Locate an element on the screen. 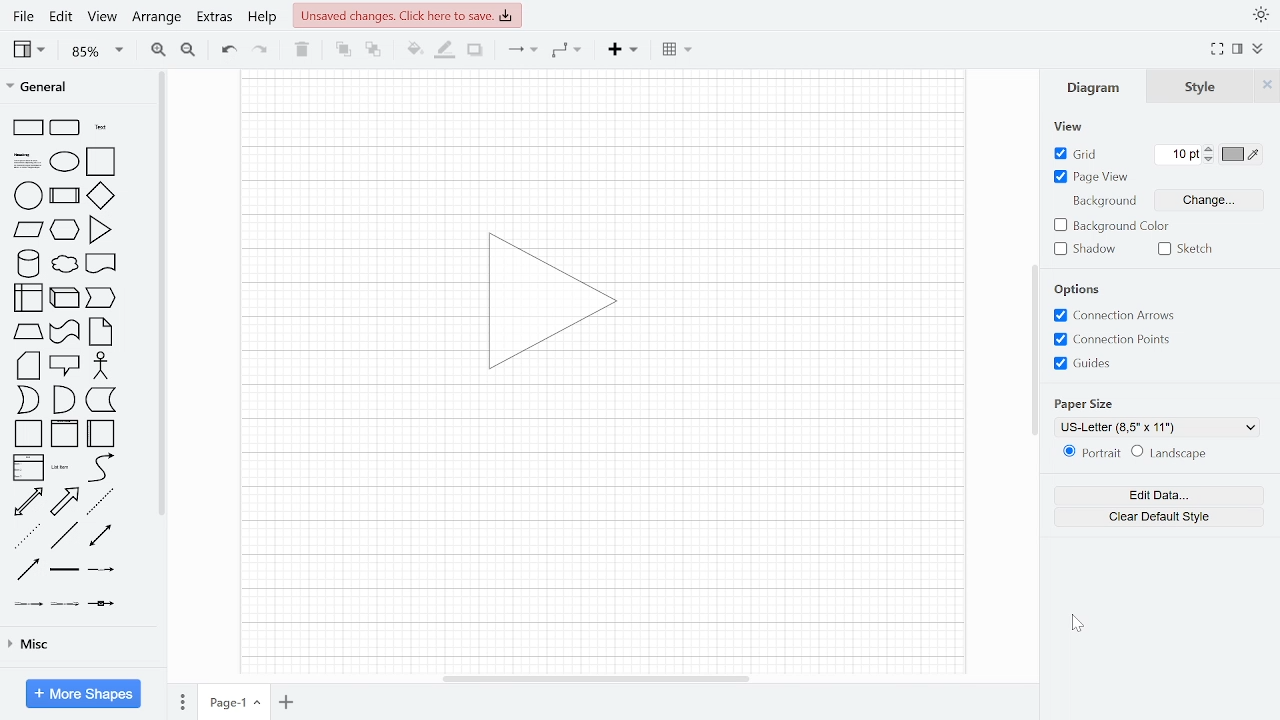  Line is located at coordinates (521, 51).